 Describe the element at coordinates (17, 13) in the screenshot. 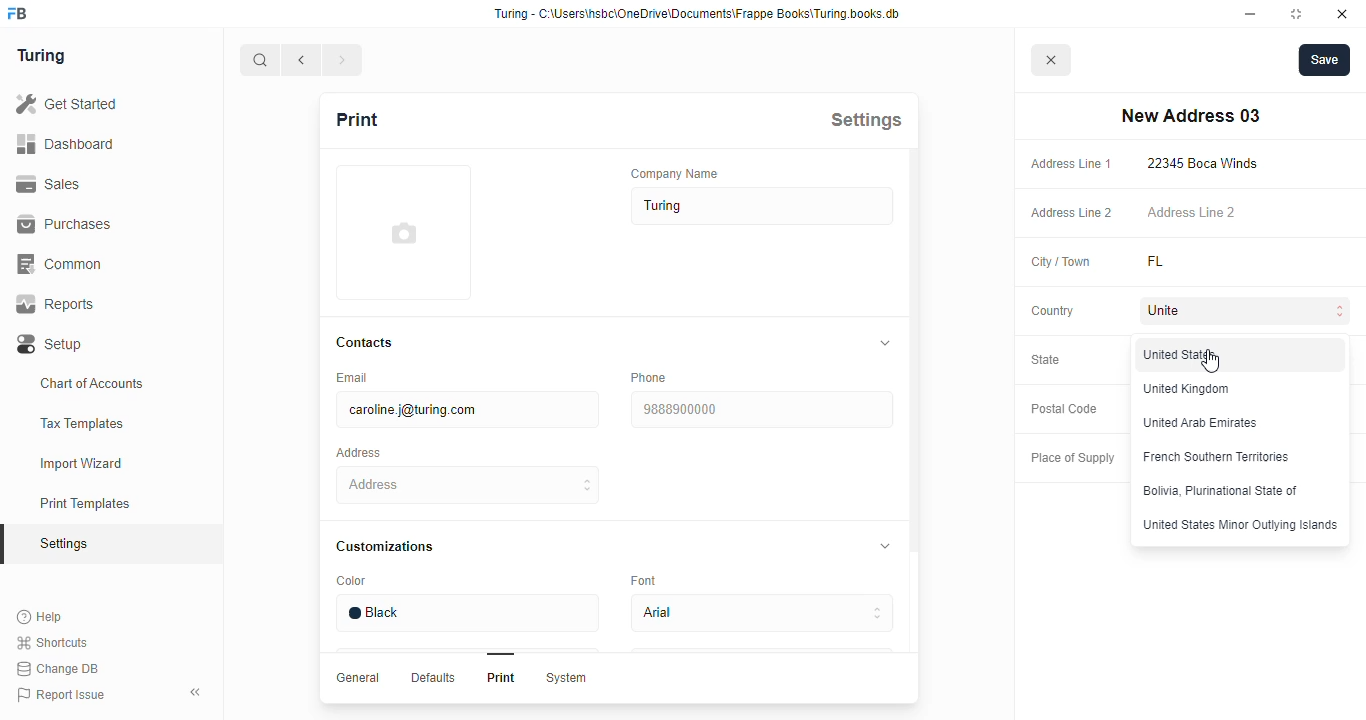

I see `FB-logo` at that location.